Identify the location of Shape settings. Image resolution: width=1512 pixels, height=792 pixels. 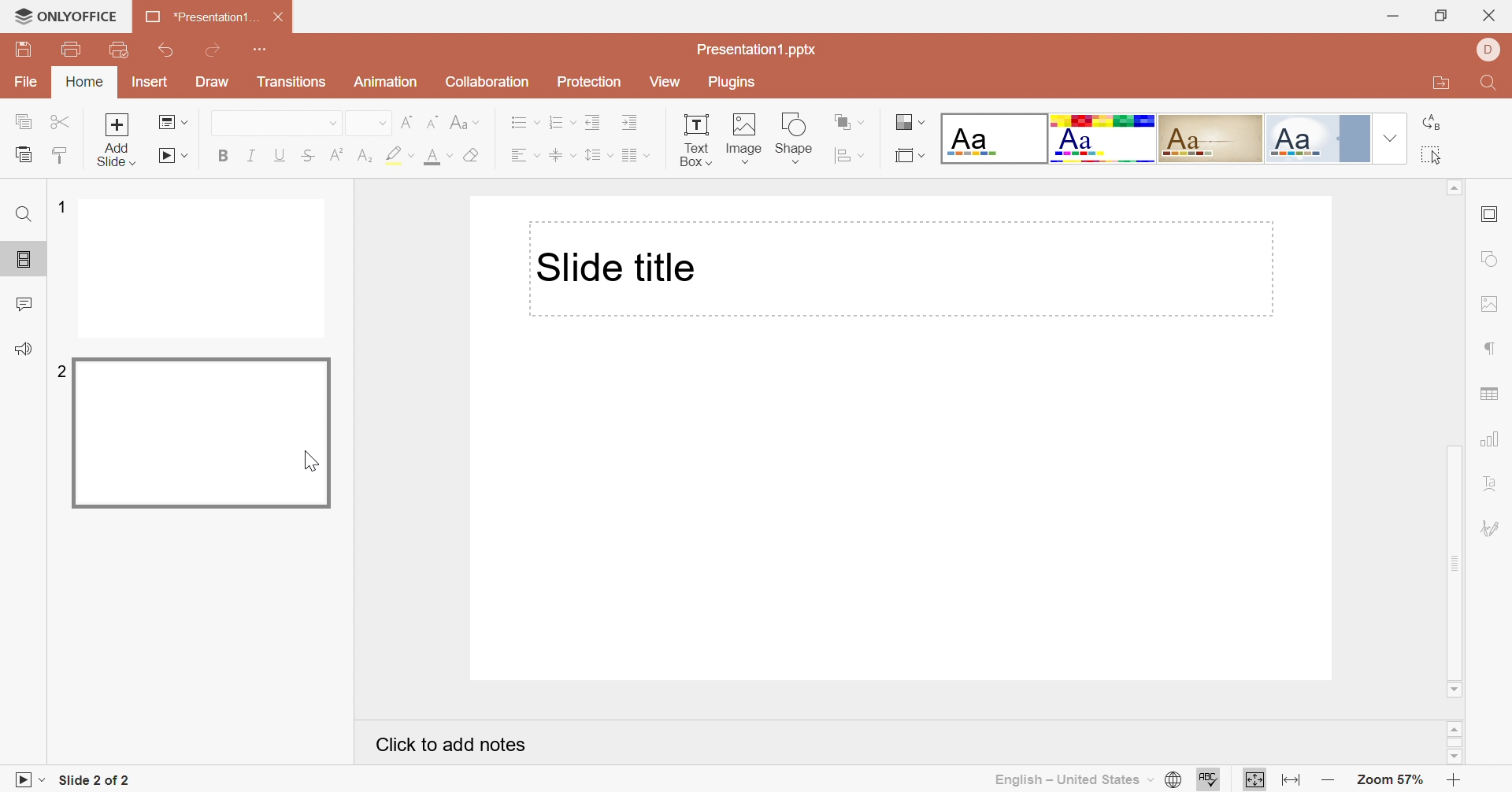
(1488, 258).